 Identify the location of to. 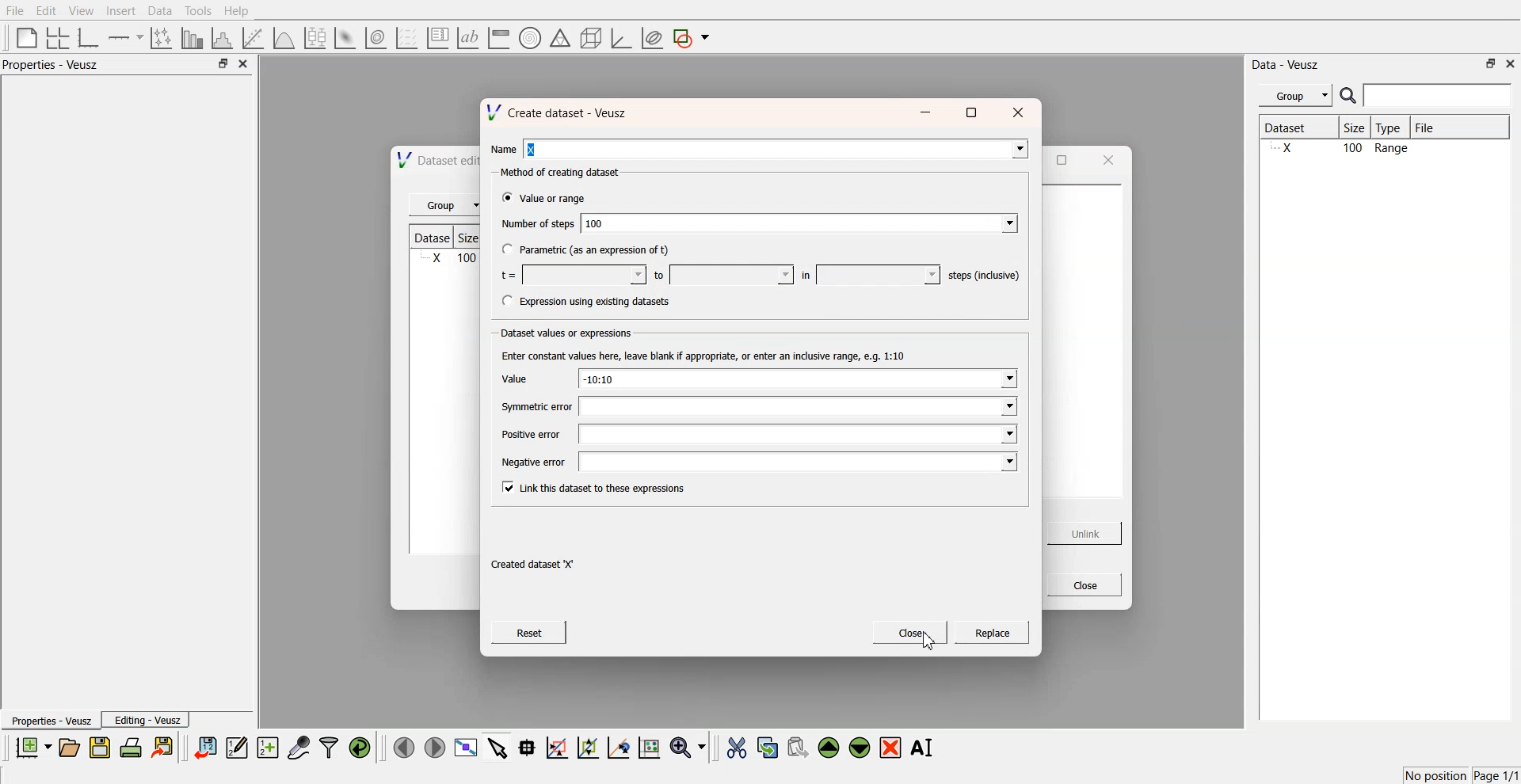
(659, 276).